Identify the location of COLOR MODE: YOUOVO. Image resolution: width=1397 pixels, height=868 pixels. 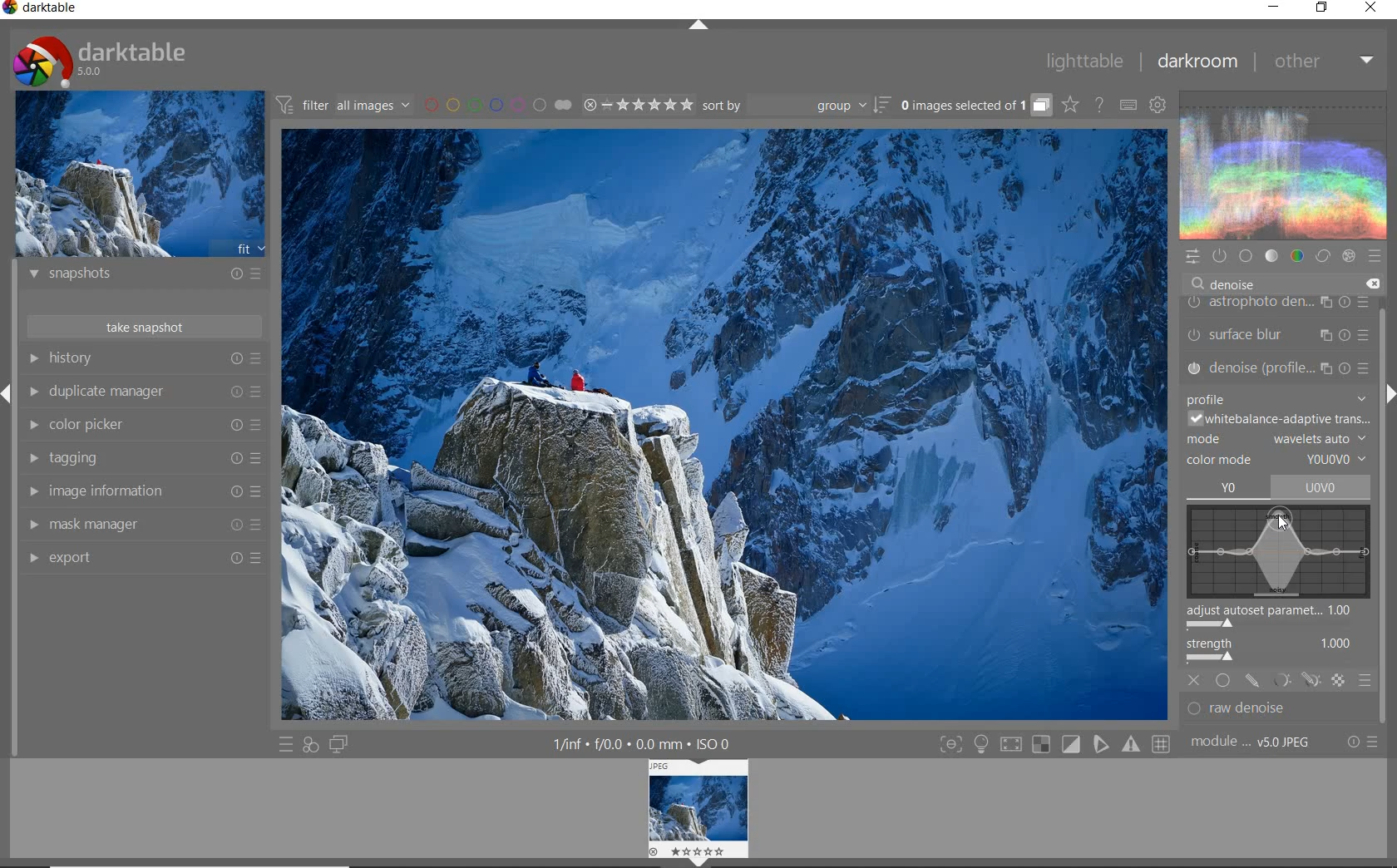
(1277, 461).